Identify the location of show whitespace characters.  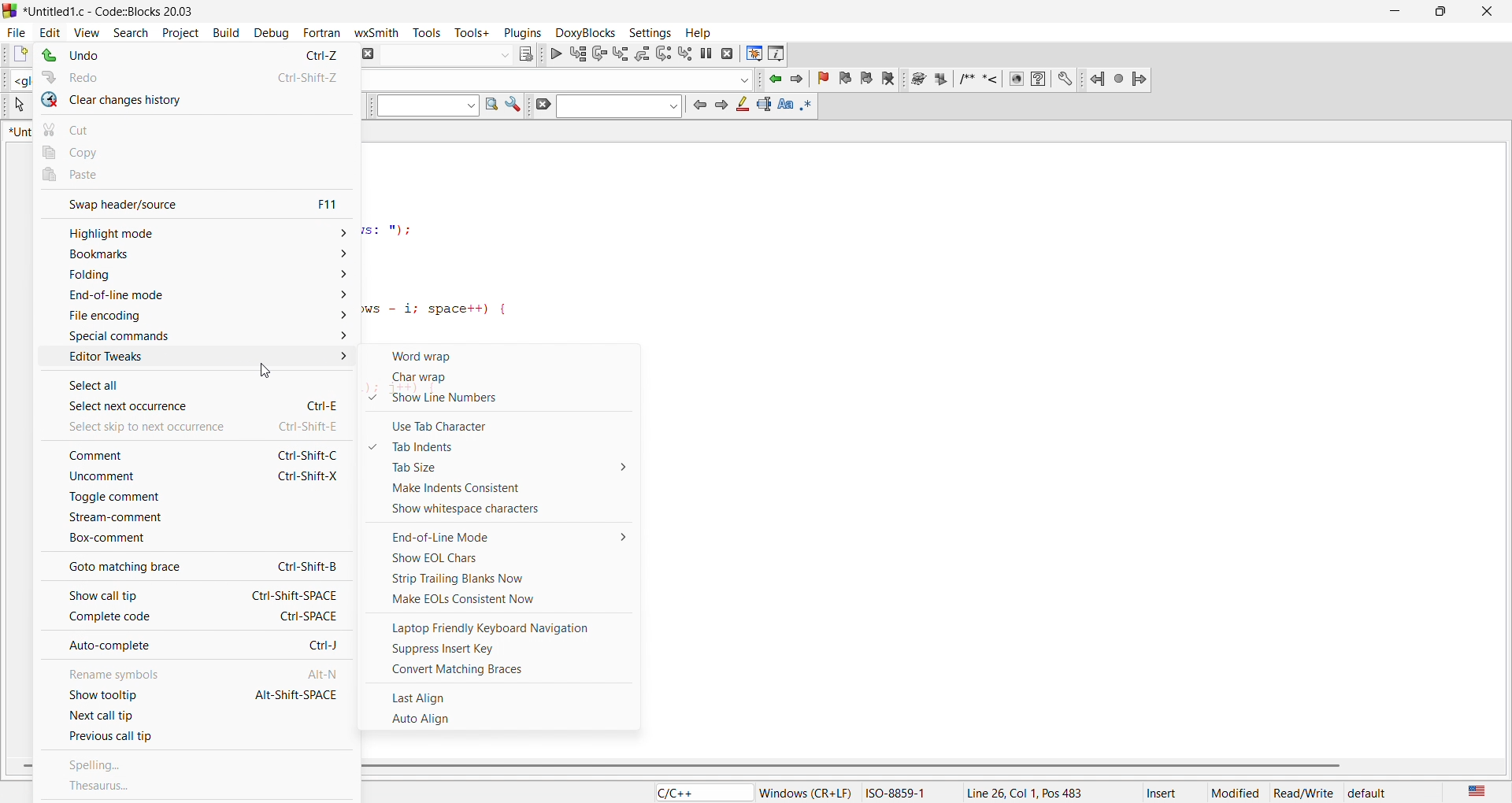
(508, 512).